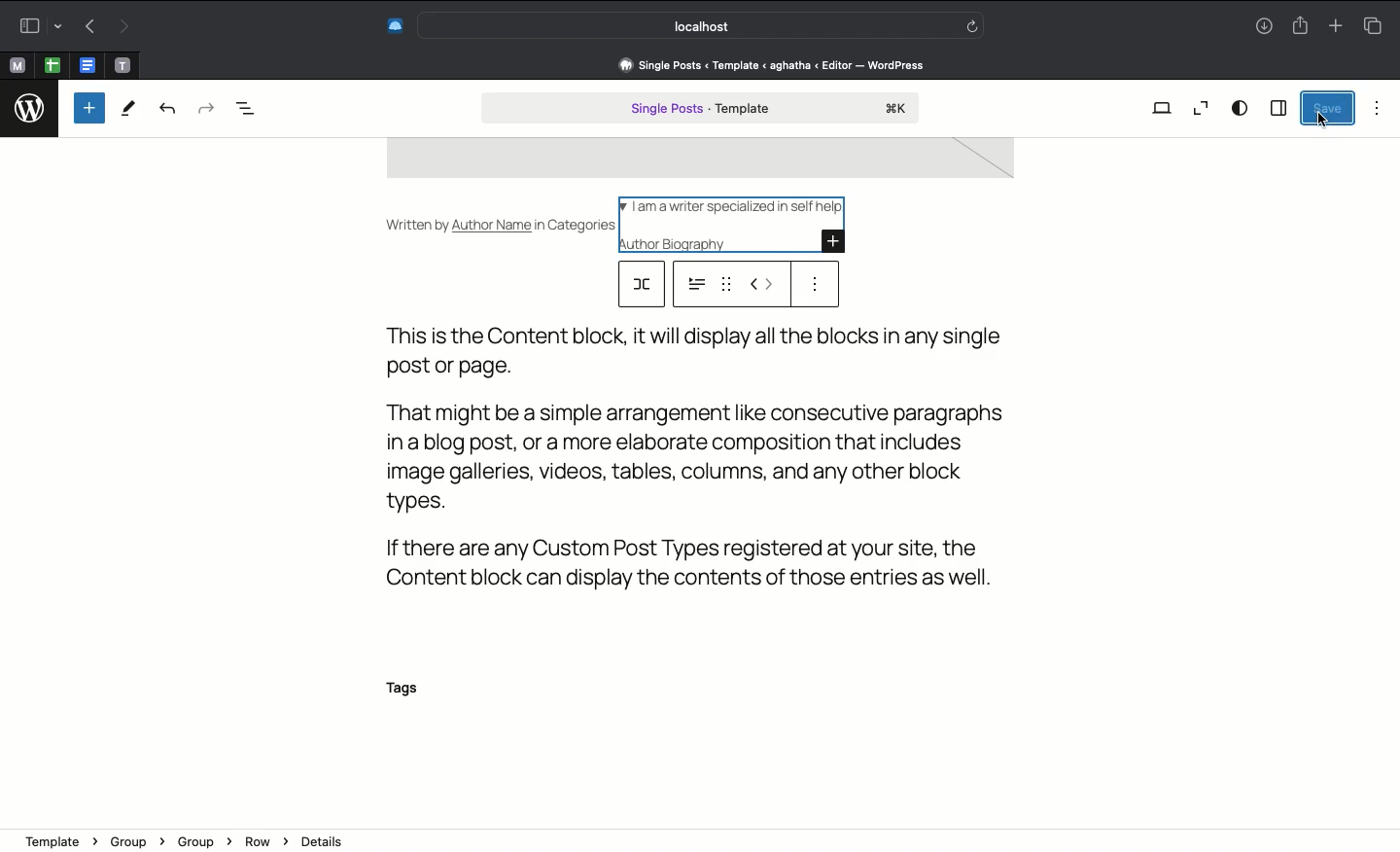  I want to click on Group, so click(201, 840).